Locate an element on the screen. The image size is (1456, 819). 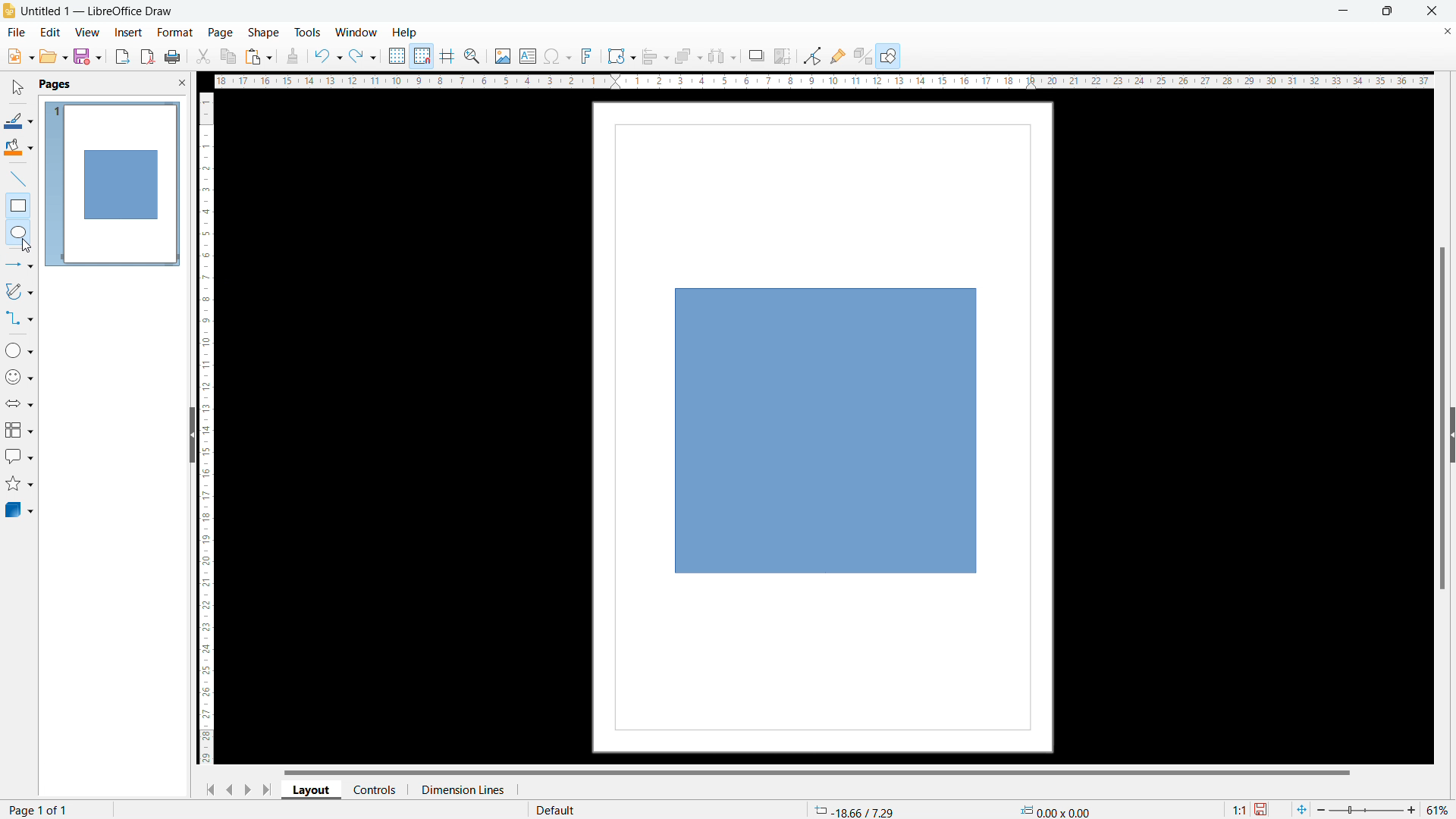
block arrows is located at coordinates (20, 403).